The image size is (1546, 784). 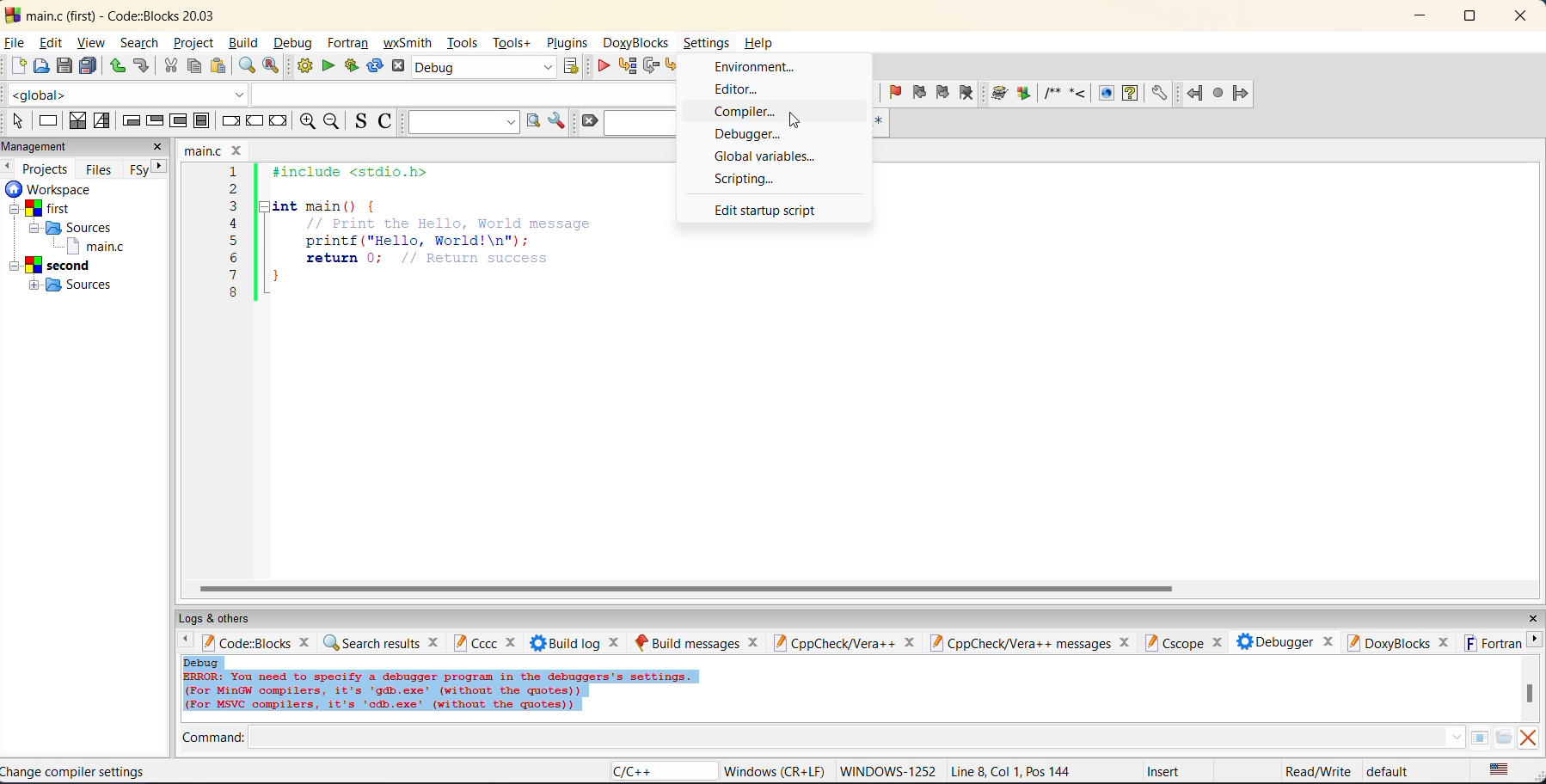 I want to click on copy, so click(x=196, y=67).